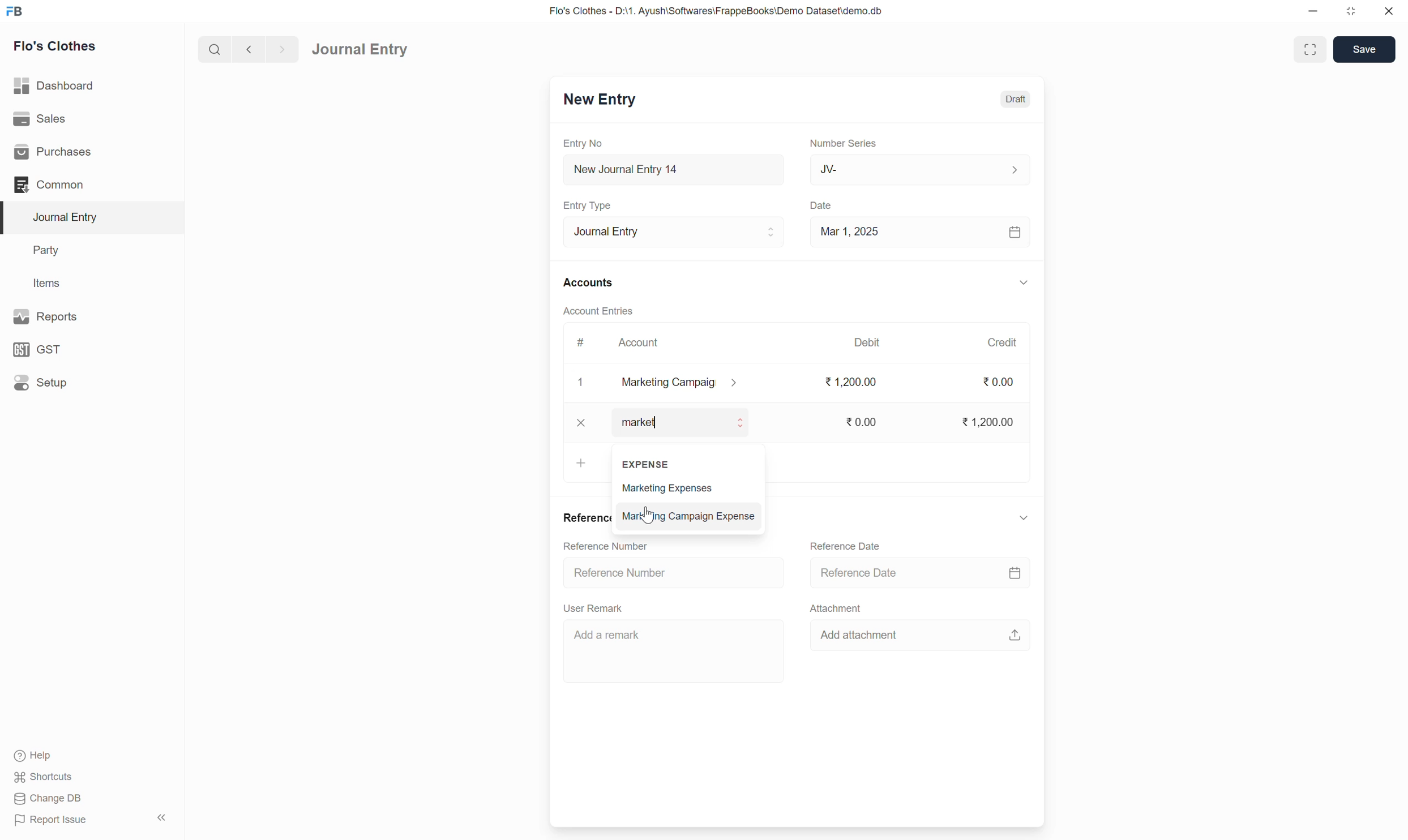 This screenshot has height=840, width=1408. I want to click on Reference number, so click(624, 572).